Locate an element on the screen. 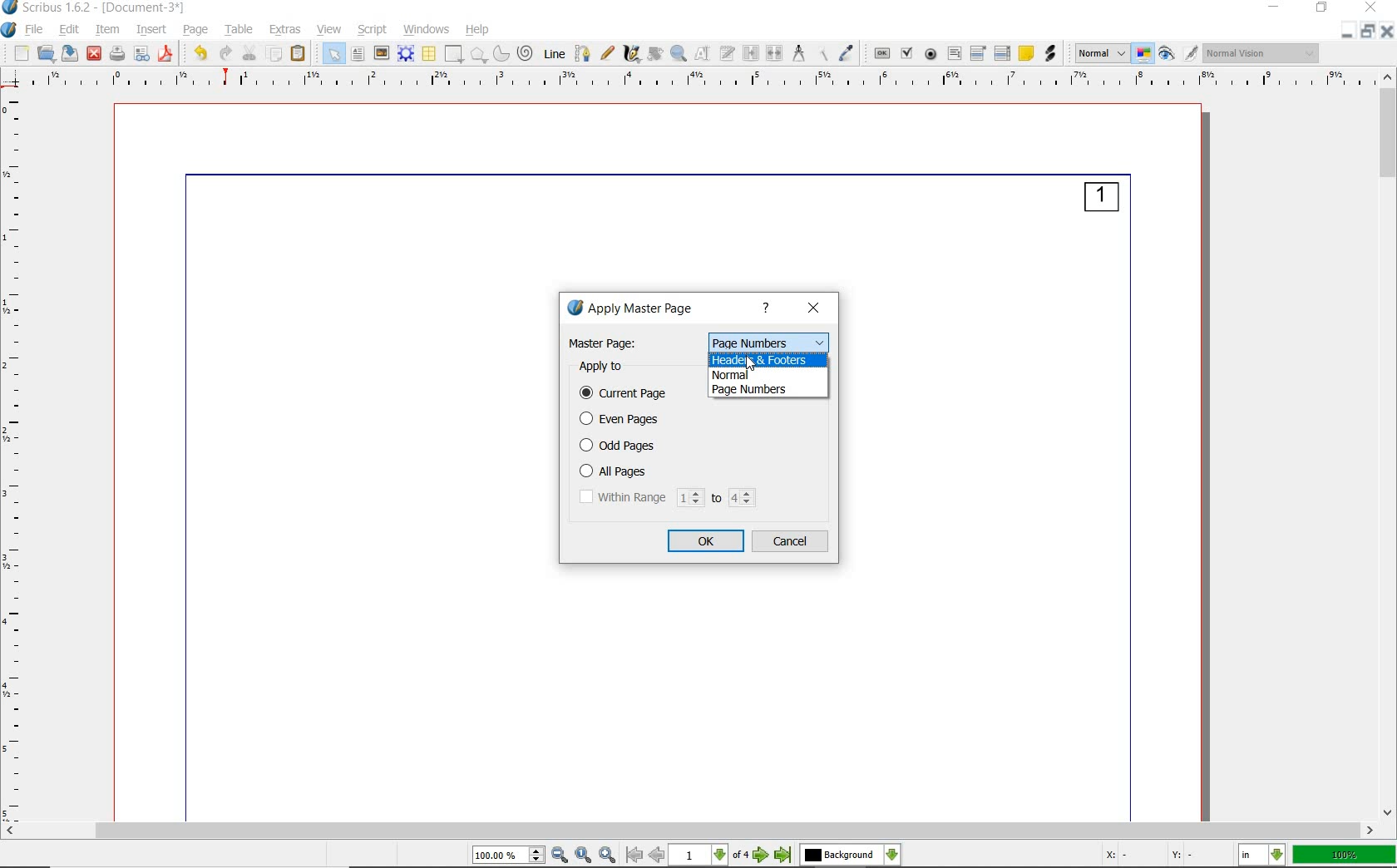 This screenshot has height=868, width=1397. save as pdf is located at coordinates (165, 55).